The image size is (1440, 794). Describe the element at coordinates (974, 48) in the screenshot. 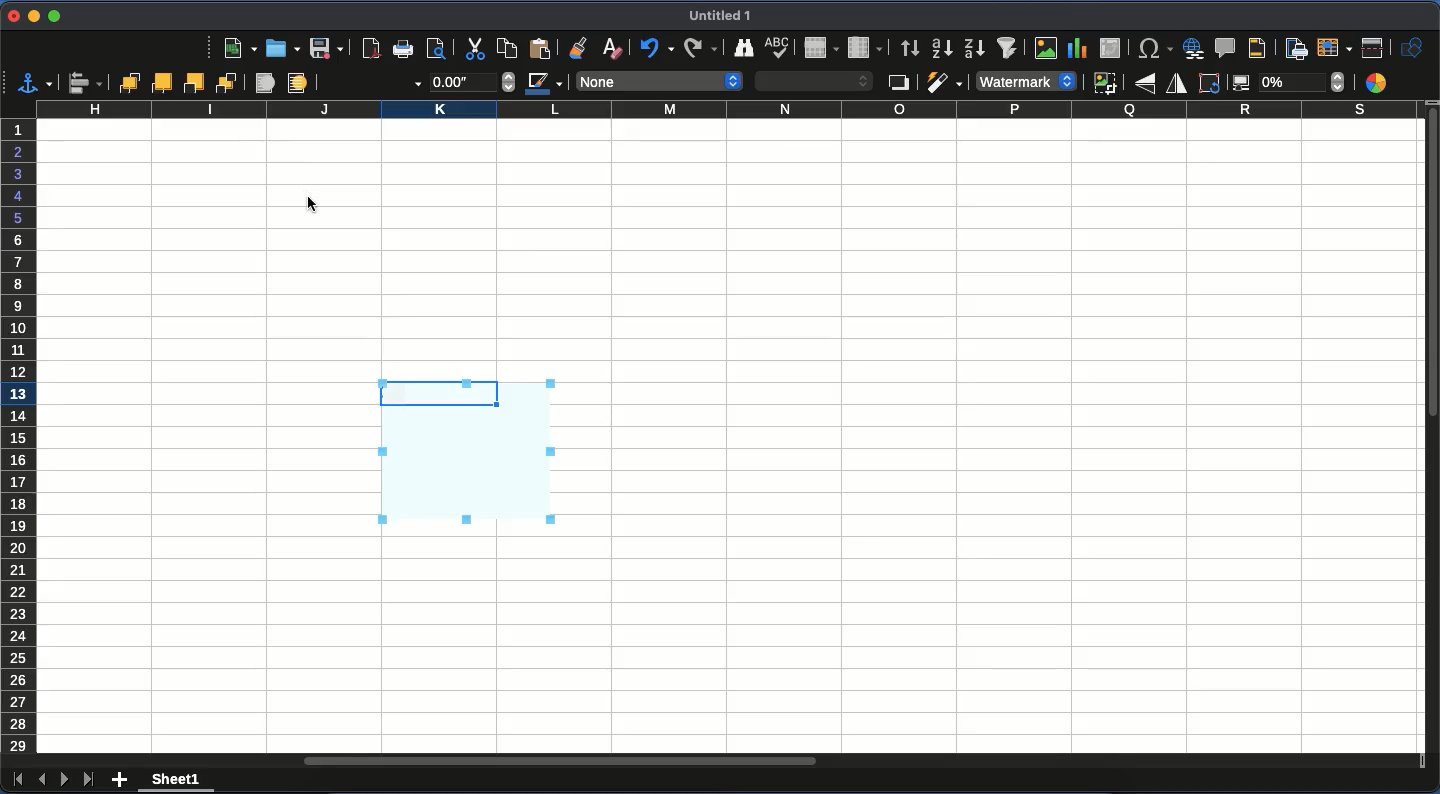

I see `descending` at that location.